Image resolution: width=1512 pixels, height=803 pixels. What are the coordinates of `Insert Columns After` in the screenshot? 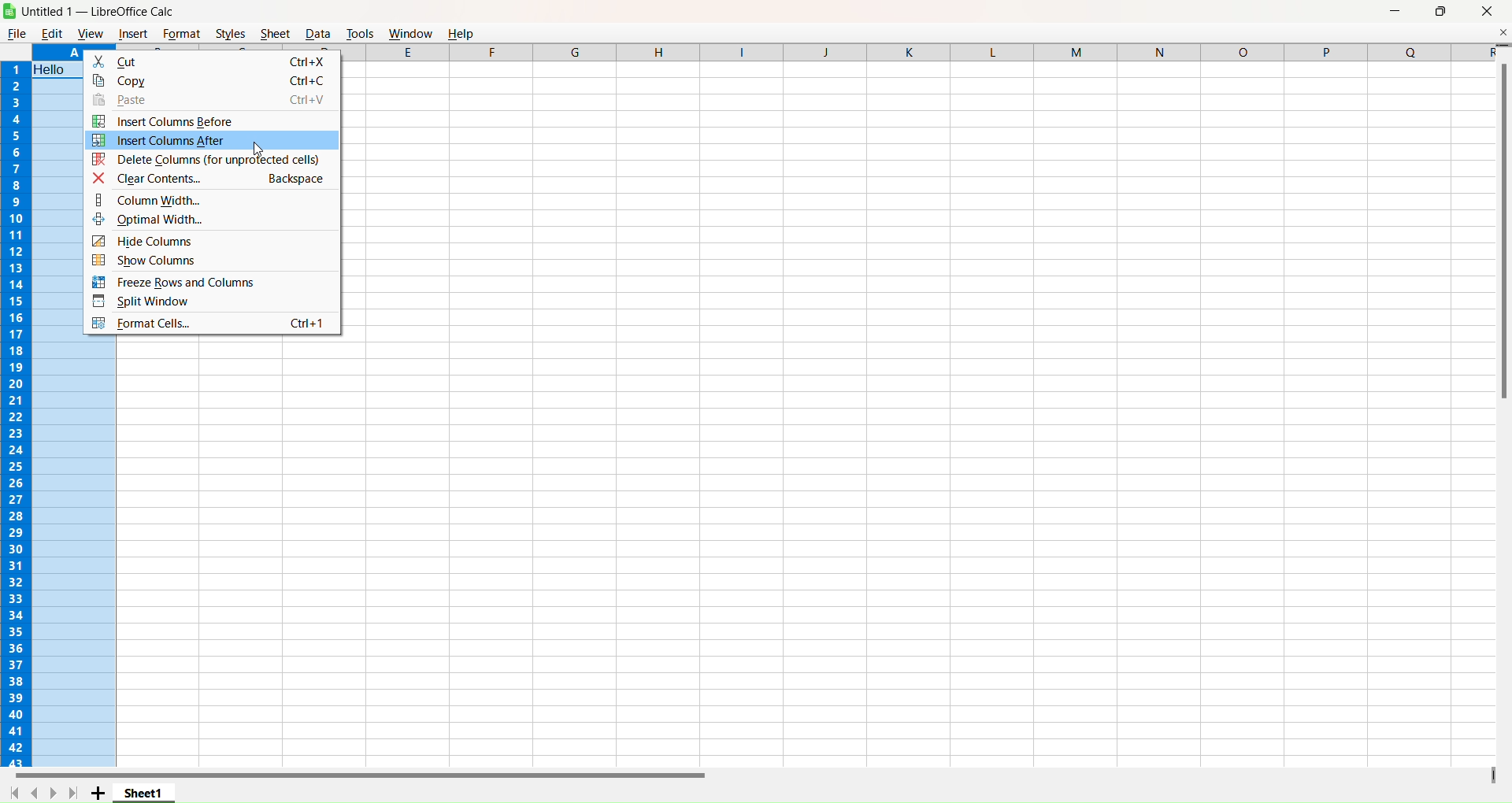 It's located at (210, 140).